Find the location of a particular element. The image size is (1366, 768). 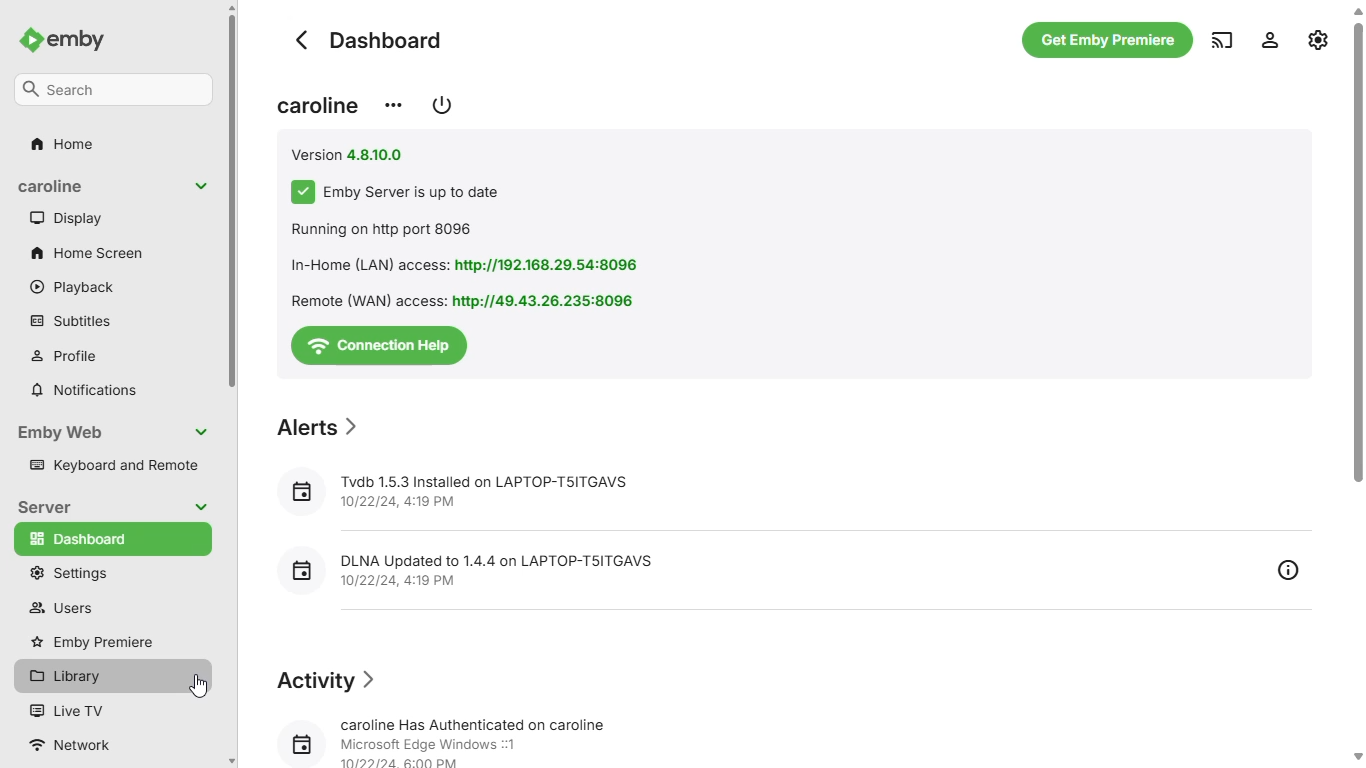

enable checkbox is located at coordinates (304, 192).